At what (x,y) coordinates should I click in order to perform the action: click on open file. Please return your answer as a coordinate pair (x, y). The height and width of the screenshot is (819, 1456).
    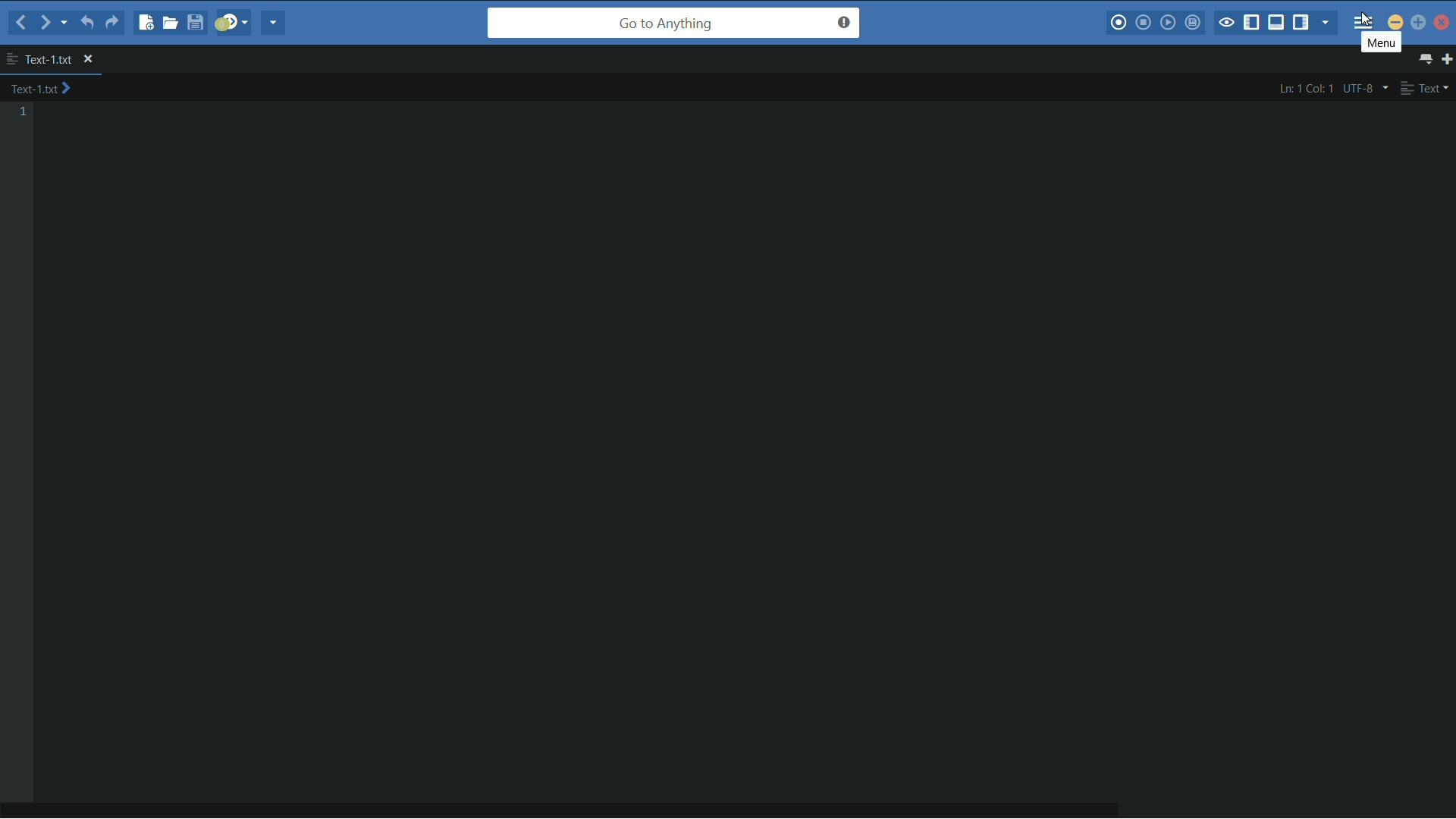
    Looking at the image, I should click on (172, 22).